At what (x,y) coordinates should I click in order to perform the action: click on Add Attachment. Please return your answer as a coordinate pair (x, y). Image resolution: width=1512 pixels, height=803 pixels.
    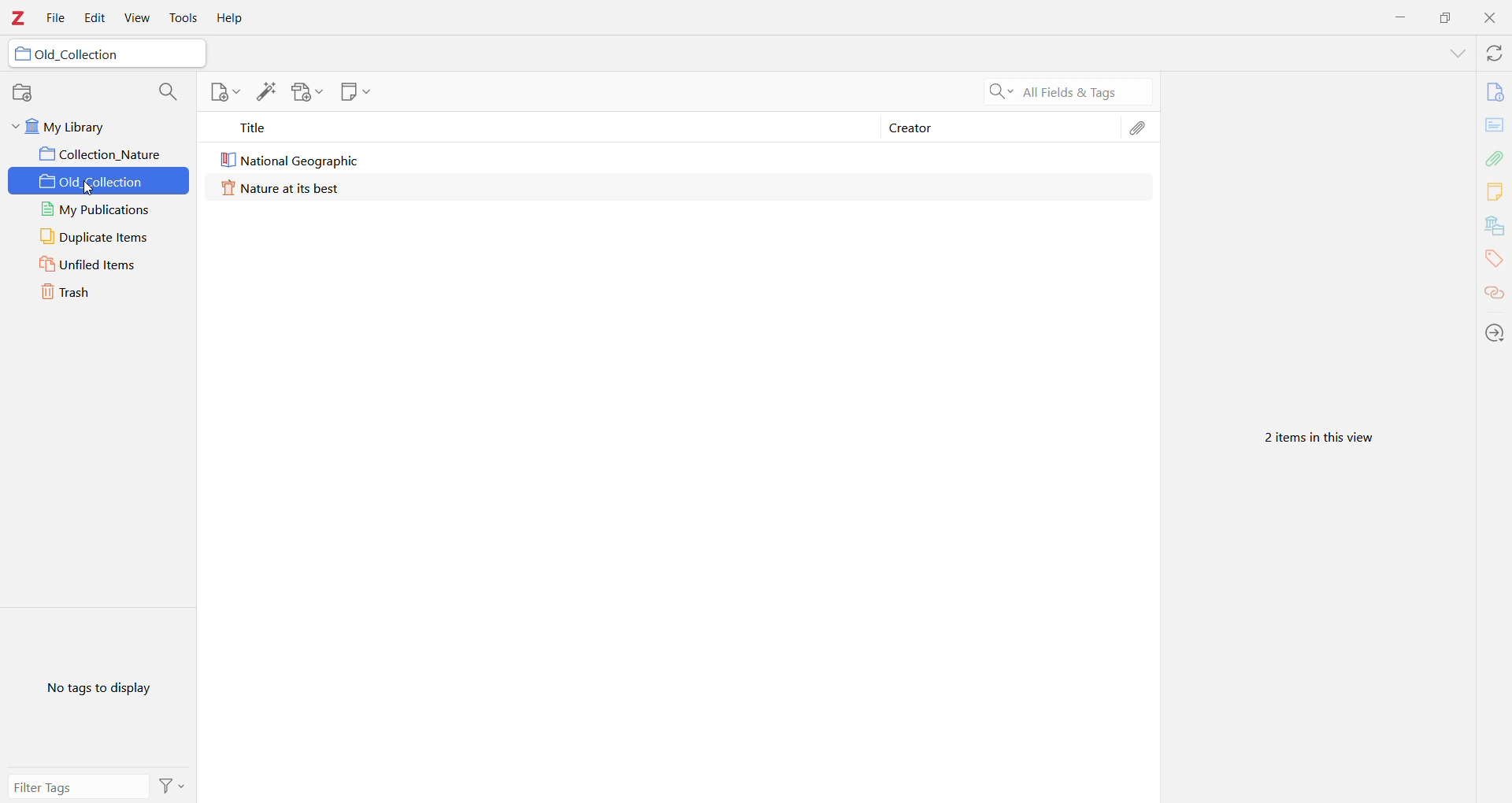
    Looking at the image, I should click on (308, 94).